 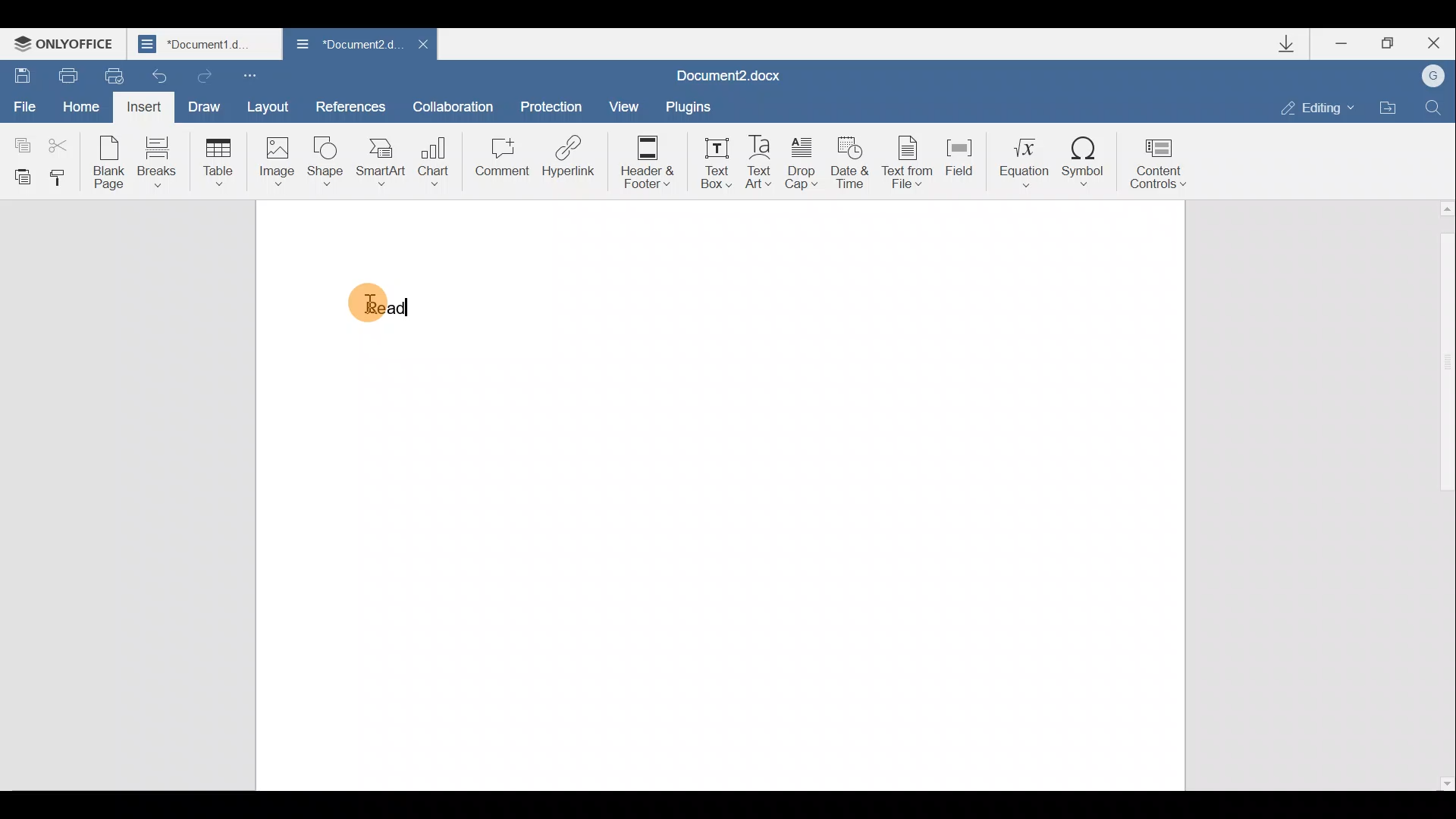 I want to click on SmartArt, so click(x=381, y=162).